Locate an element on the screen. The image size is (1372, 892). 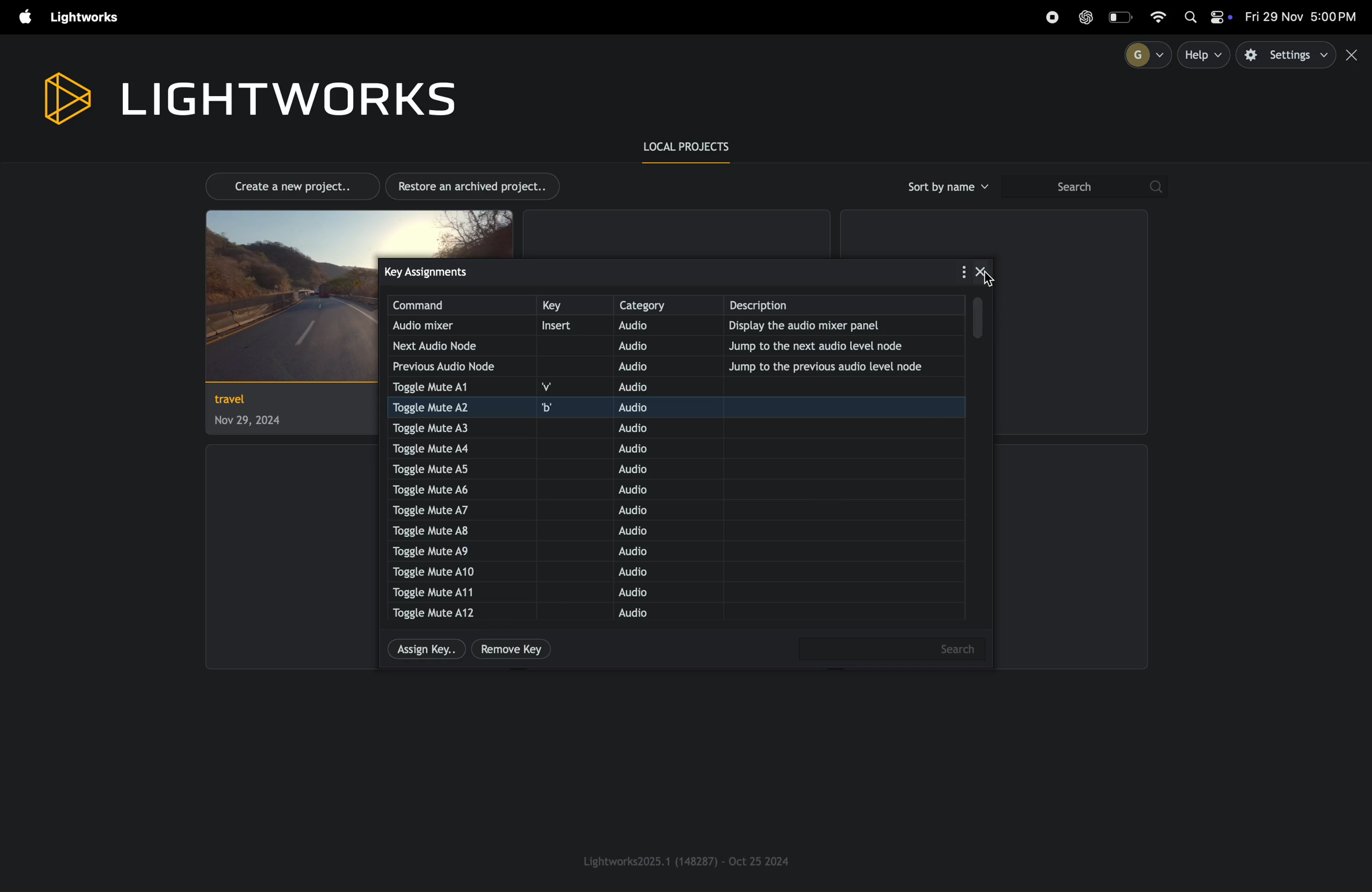
apple menu is located at coordinates (20, 18).